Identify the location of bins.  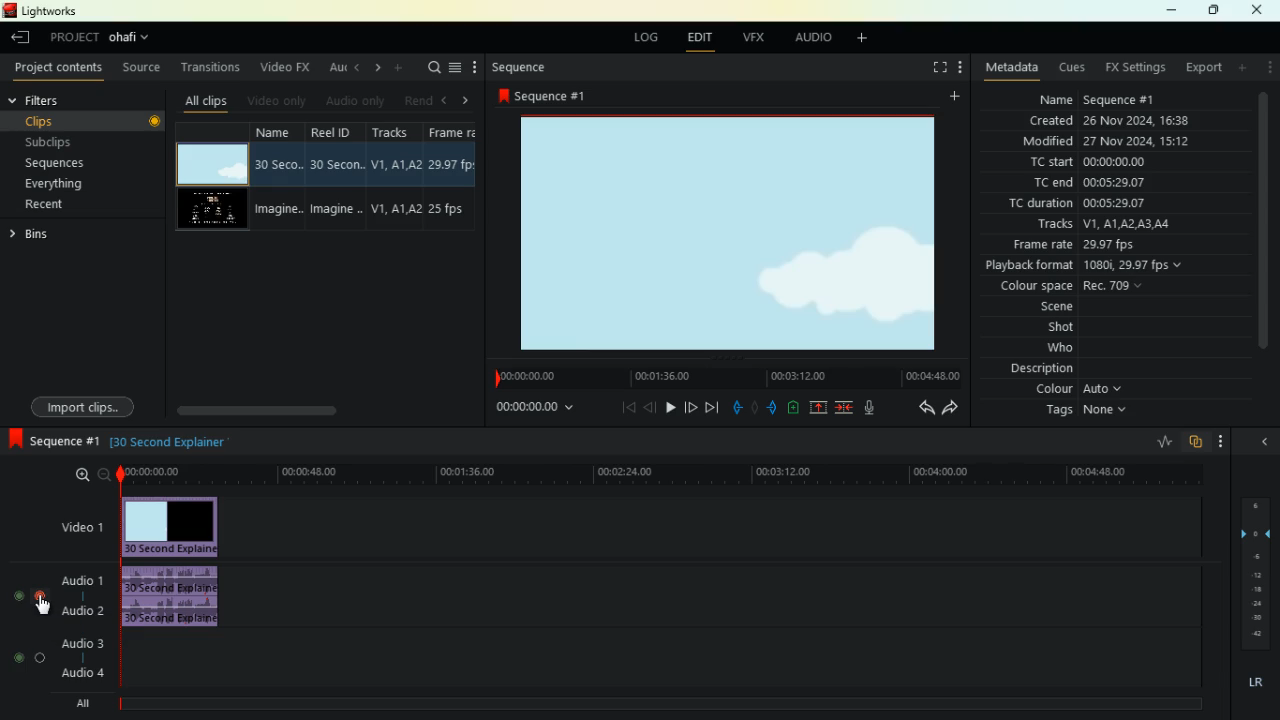
(41, 235).